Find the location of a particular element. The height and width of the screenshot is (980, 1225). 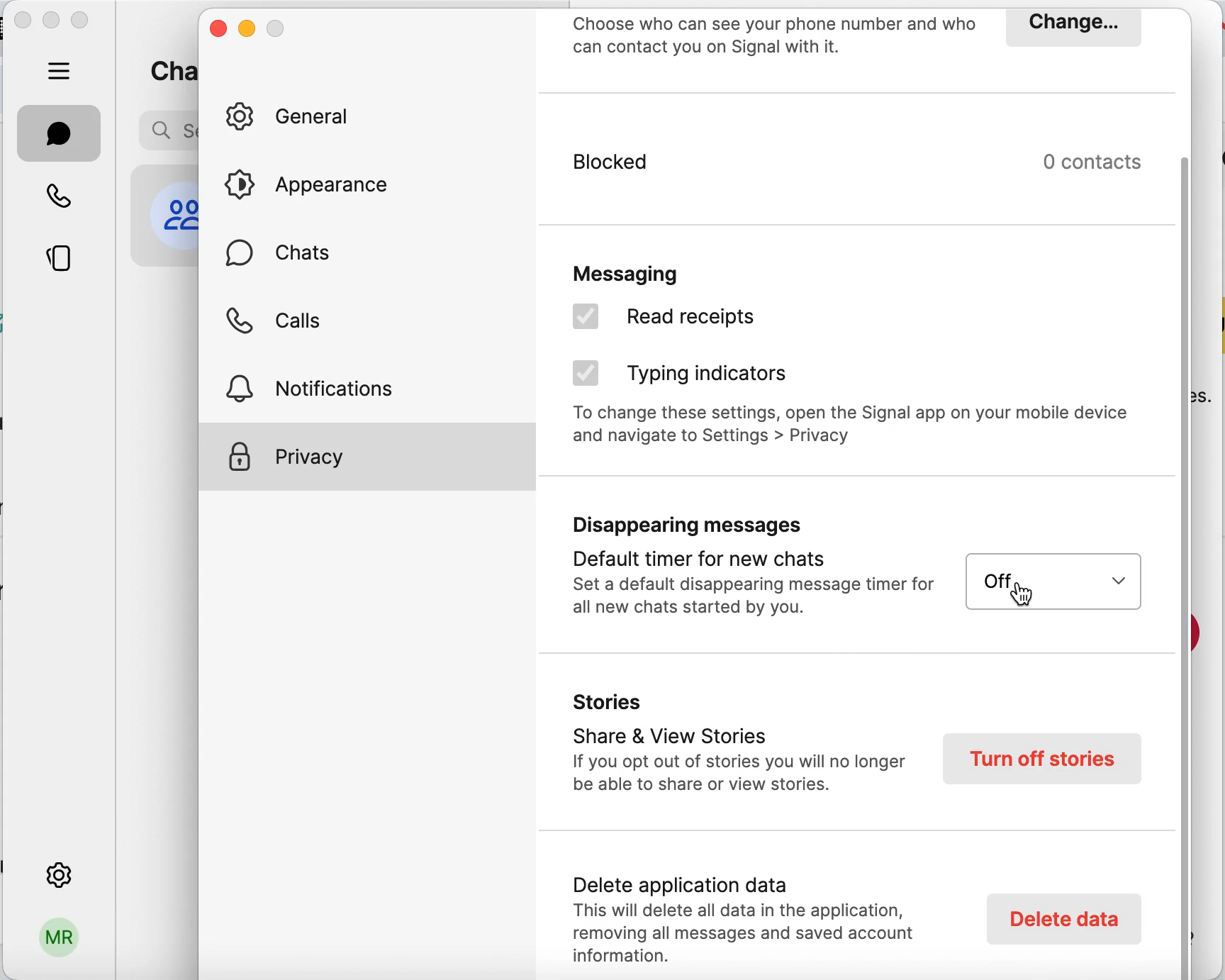

off is located at coordinates (1052, 581).